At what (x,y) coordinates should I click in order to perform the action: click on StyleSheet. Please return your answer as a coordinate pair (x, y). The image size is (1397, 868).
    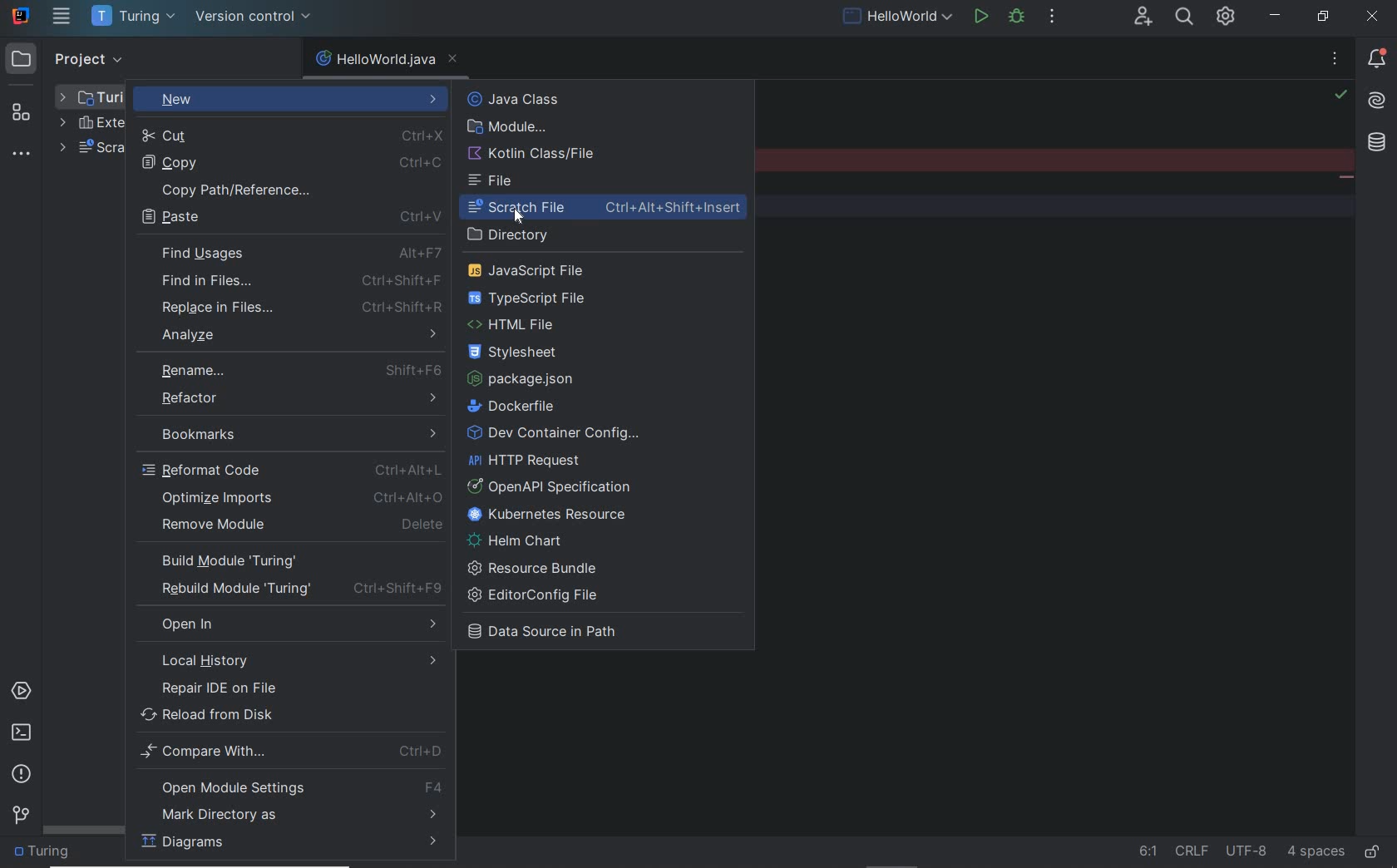
    Looking at the image, I should click on (521, 354).